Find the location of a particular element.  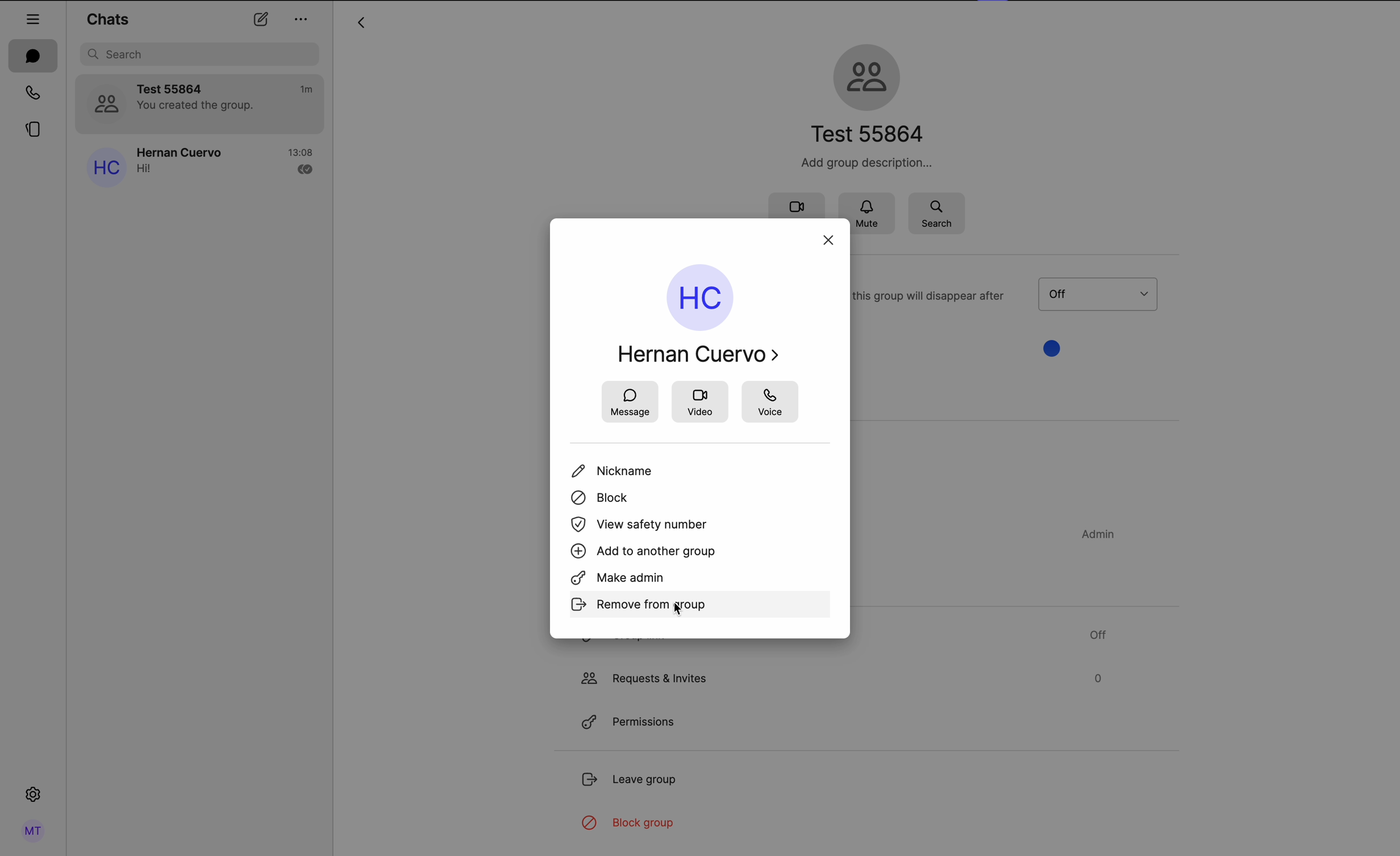

search is located at coordinates (936, 213).